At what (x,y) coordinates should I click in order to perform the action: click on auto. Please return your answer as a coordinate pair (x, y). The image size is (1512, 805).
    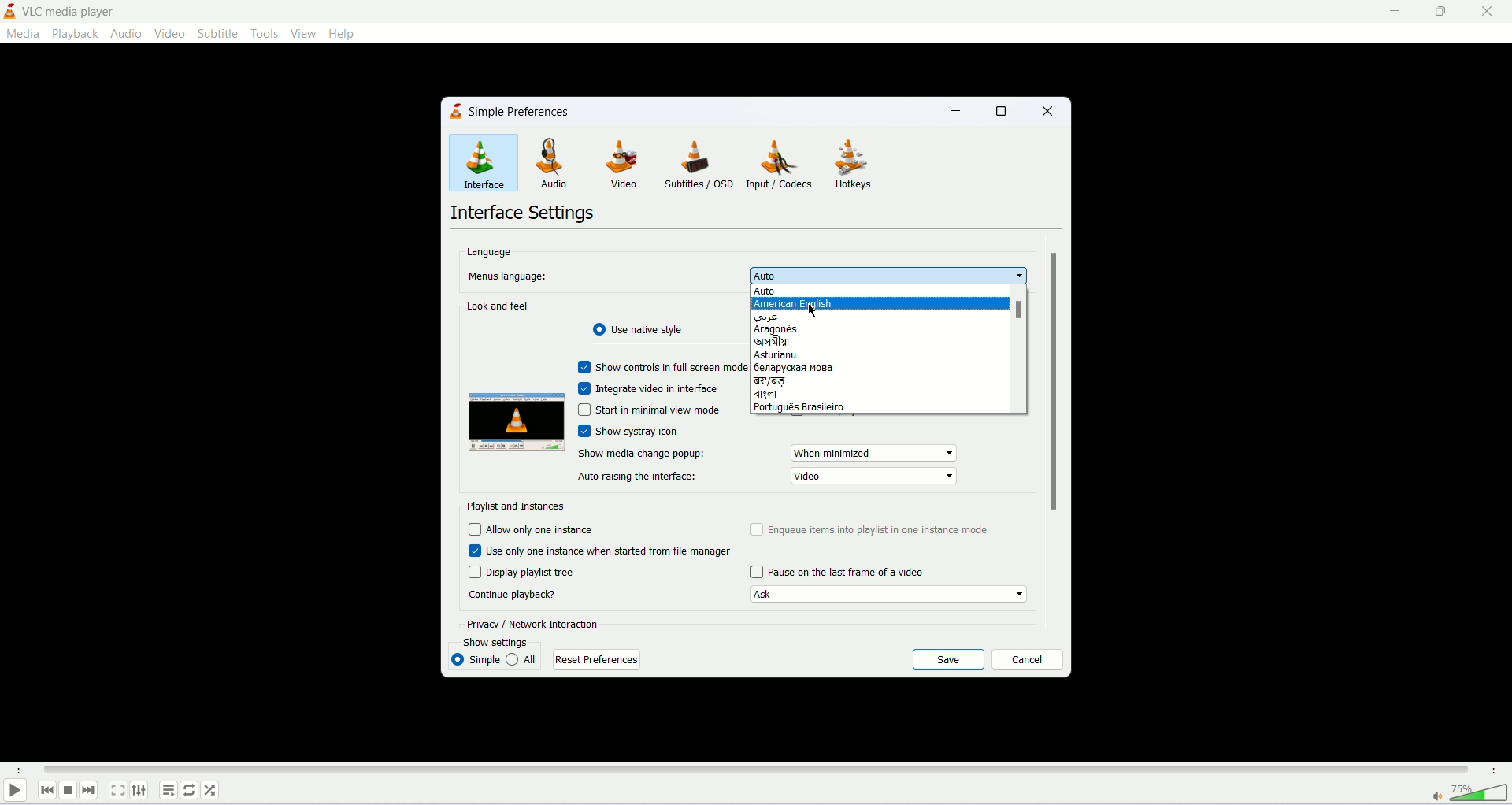
    Looking at the image, I should click on (814, 292).